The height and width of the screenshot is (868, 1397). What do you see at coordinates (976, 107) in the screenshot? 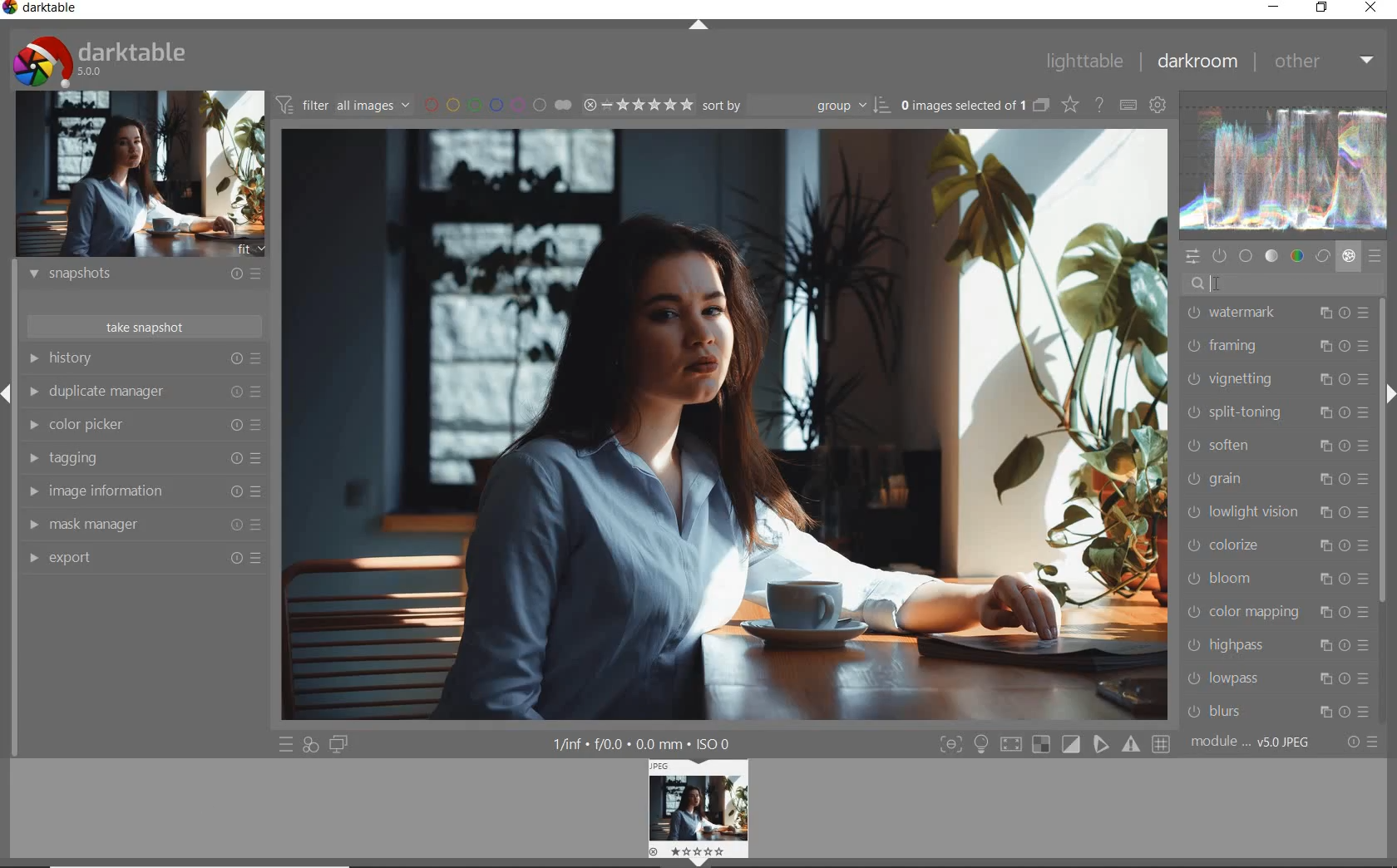
I see `expand grouped images` at bounding box center [976, 107].